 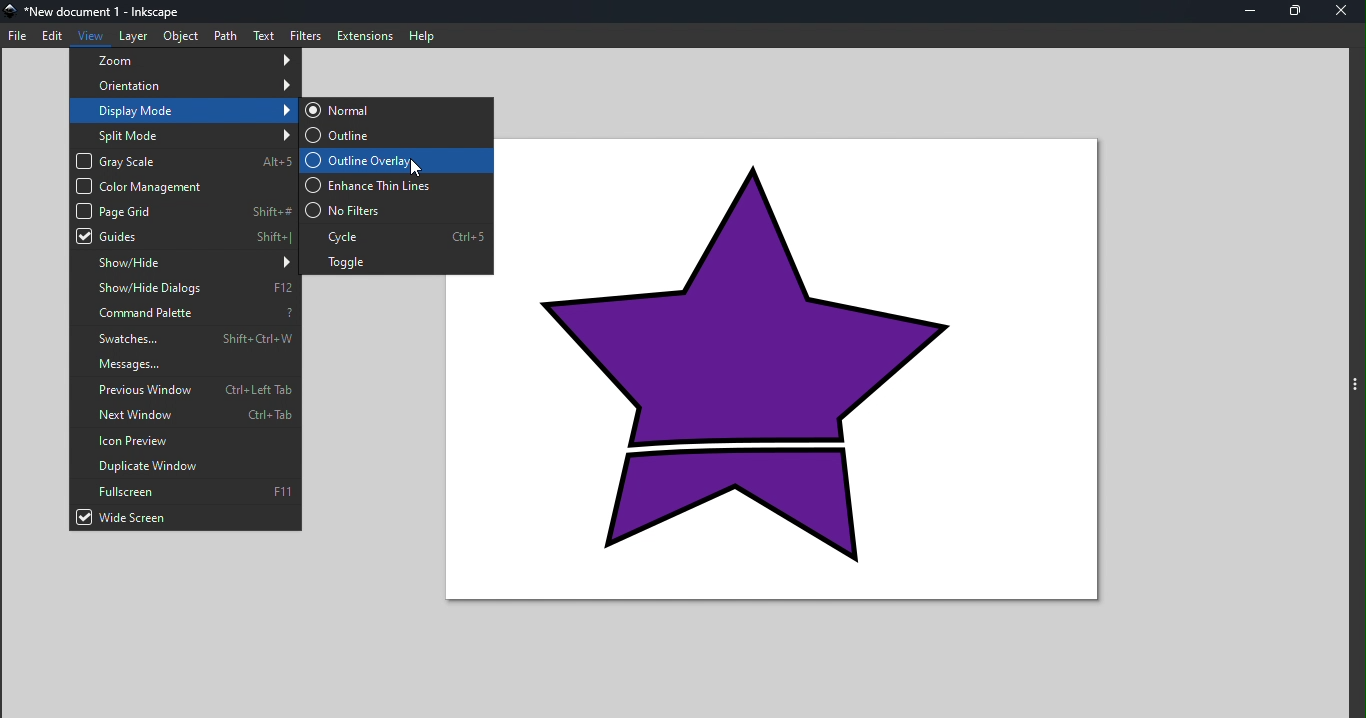 I want to click on Orientation, so click(x=185, y=85).